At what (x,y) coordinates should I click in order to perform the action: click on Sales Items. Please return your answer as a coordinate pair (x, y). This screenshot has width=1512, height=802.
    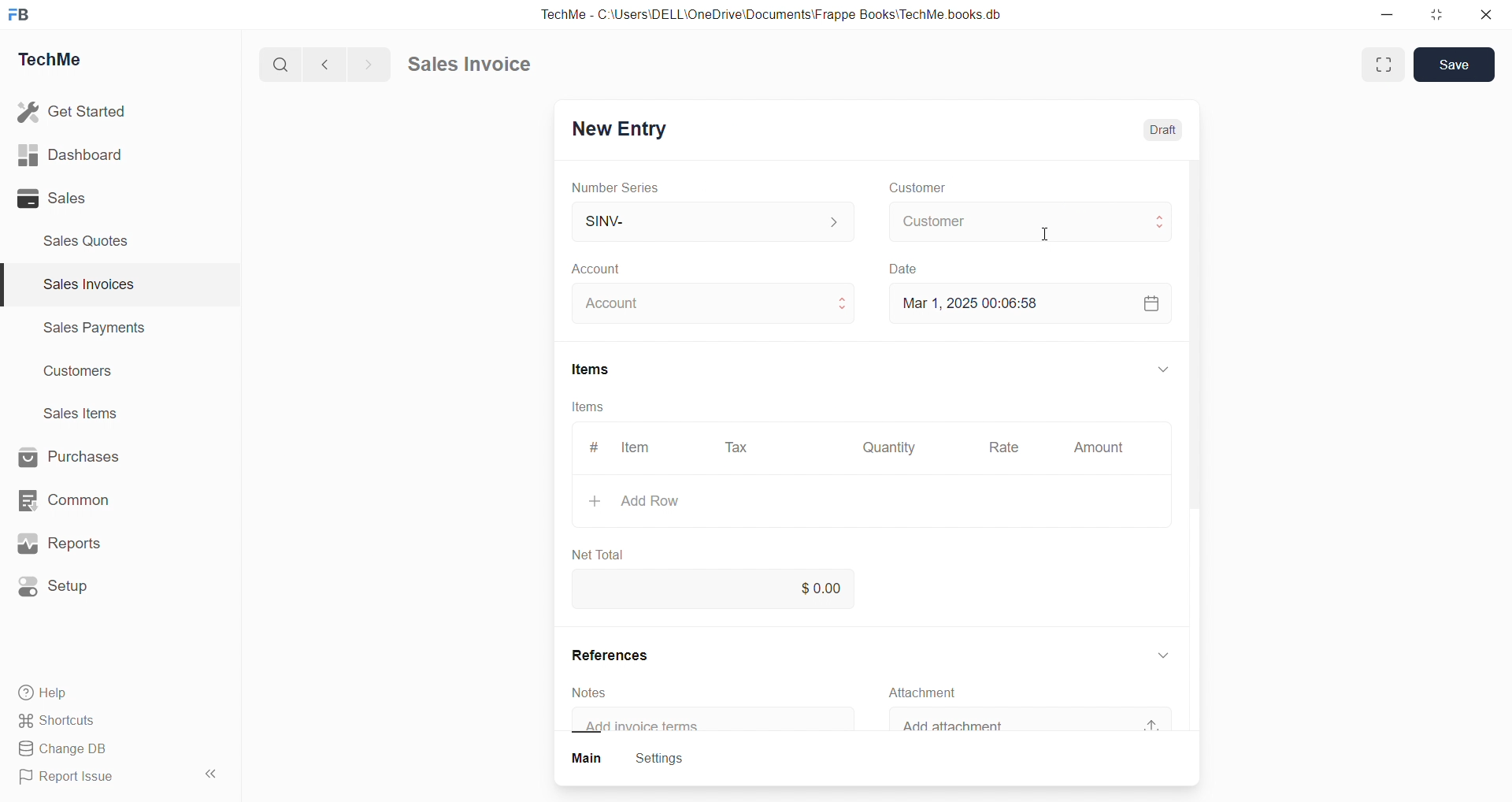
    Looking at the image, I should click on (87, 415).